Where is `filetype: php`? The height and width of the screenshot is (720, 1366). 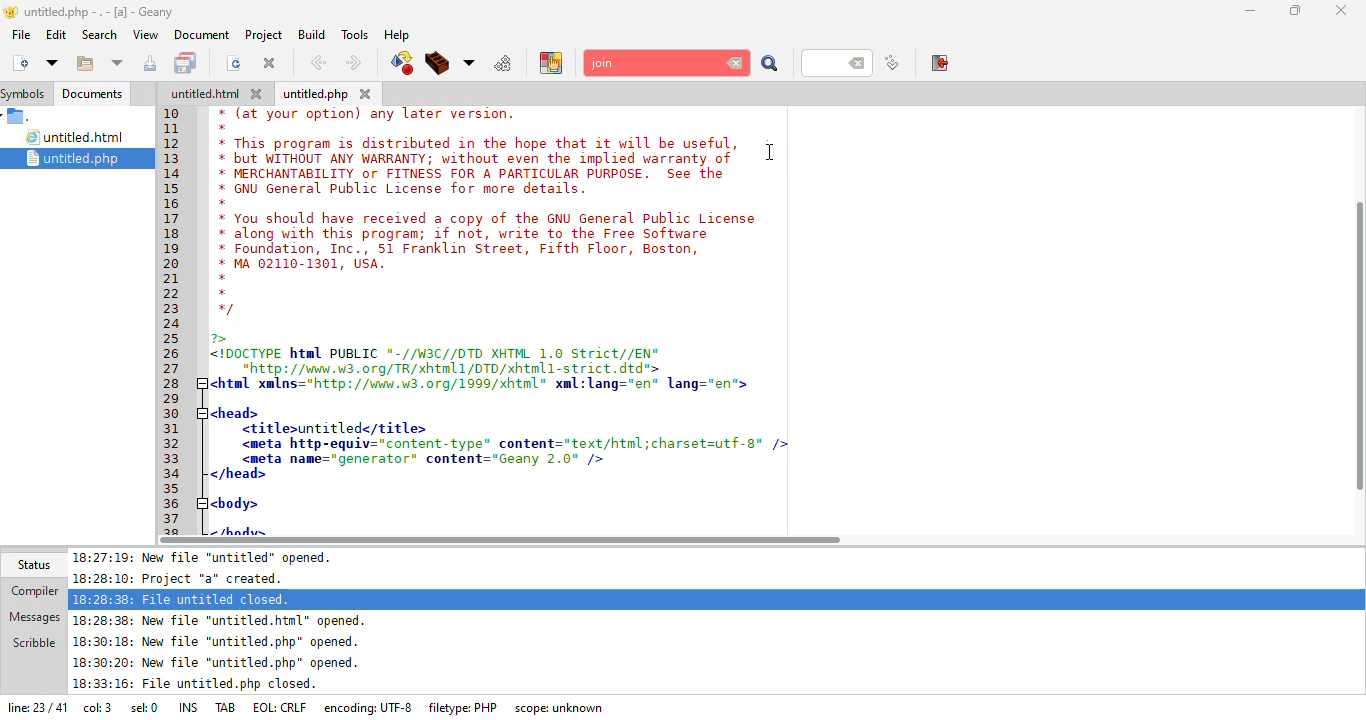
filetype: php is located at coordinates (464, 707).